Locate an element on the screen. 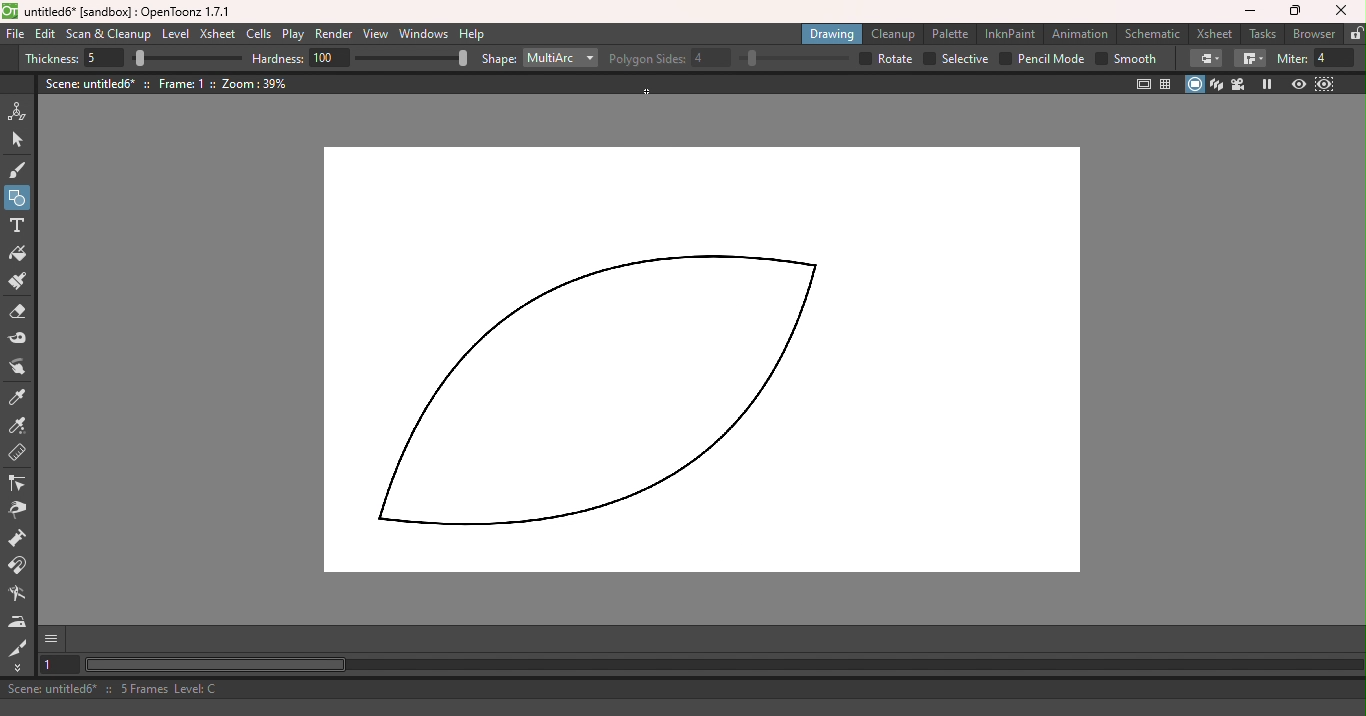 The height and width of the screenshot is (716, 1366). Iron tool is located at coordinates (18, 623).